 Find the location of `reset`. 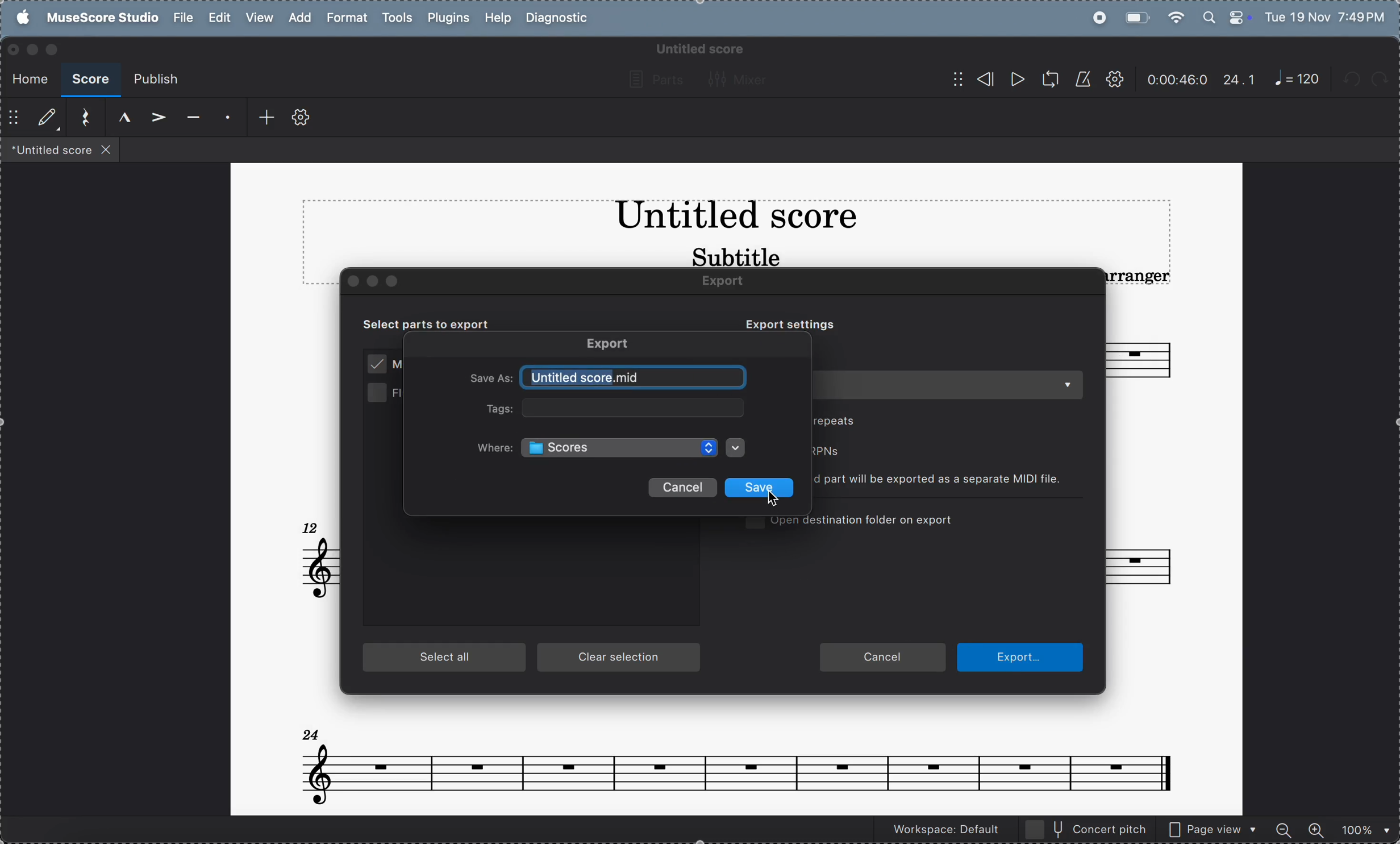

reset is located at coordinates (82, 118).